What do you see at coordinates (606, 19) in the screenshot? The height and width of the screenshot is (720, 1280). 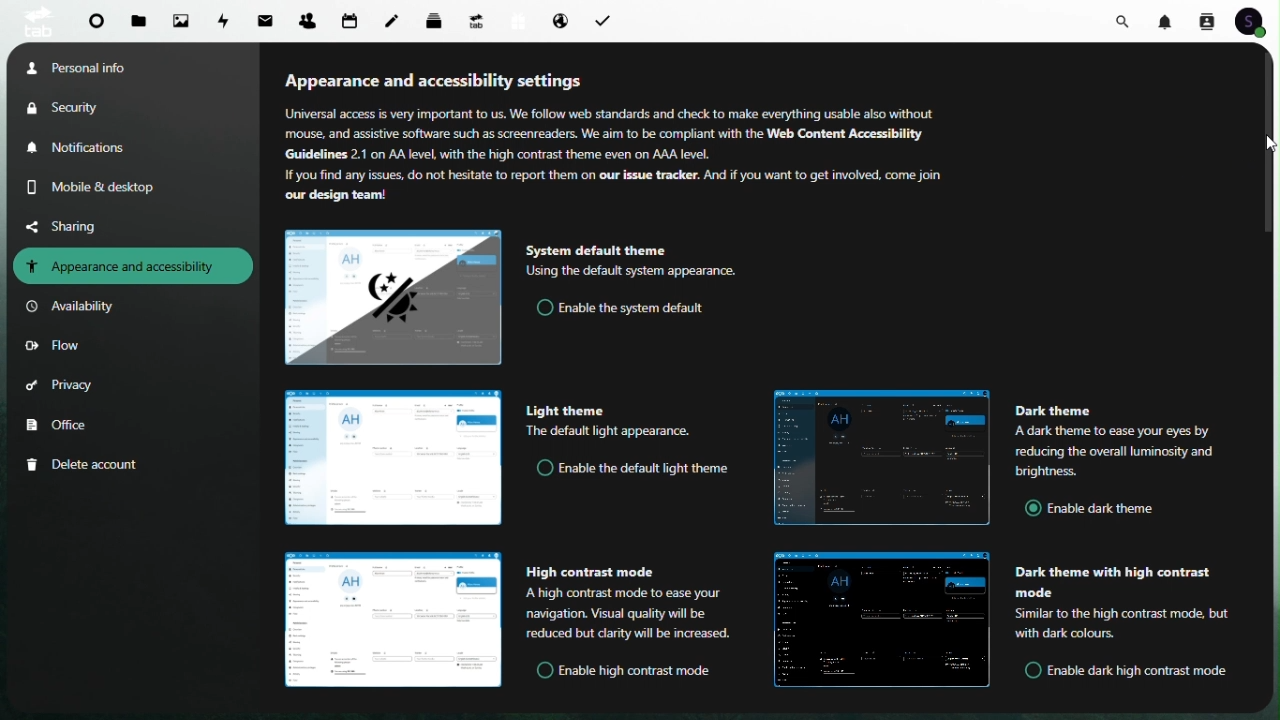 I see `Tasks` at bounding box center [606, 19].